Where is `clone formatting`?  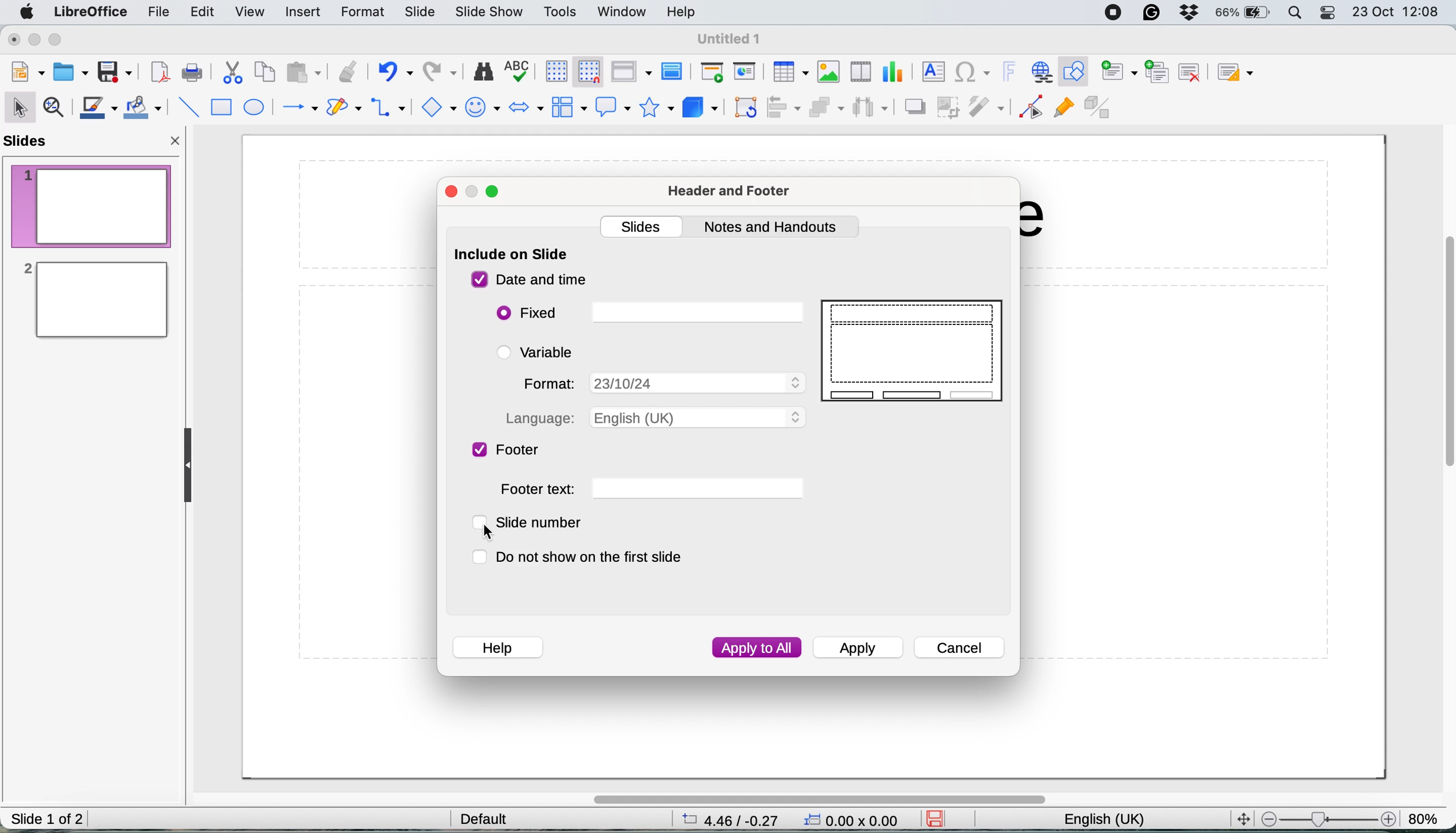 clone formatting is located at coordinates (346, 72).